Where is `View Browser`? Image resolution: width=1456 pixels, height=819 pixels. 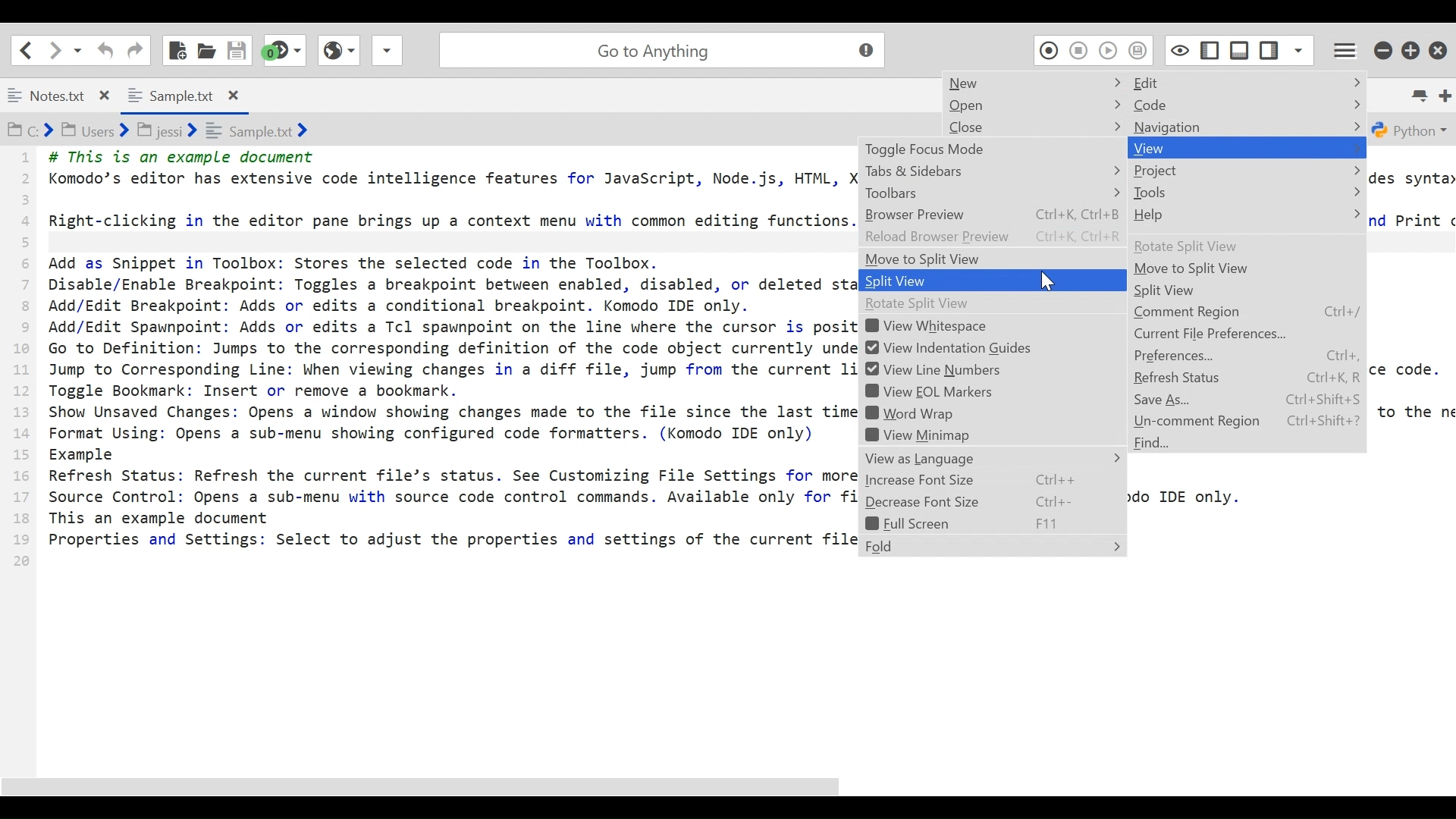 View Browser is located at coordinates (337, 50).